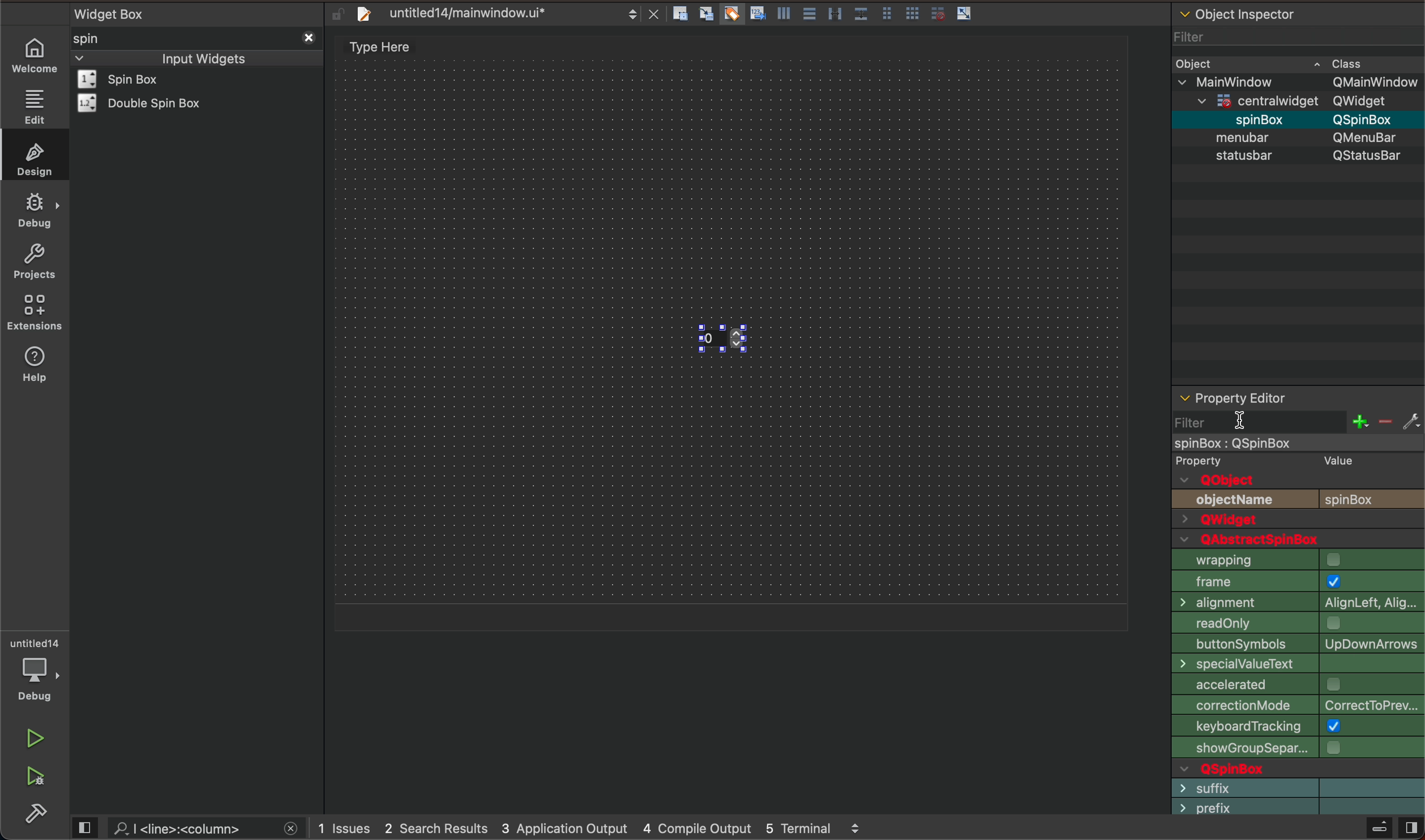 This screenshot has width=1425, height=840. I want to click on , so click(1369, 137).